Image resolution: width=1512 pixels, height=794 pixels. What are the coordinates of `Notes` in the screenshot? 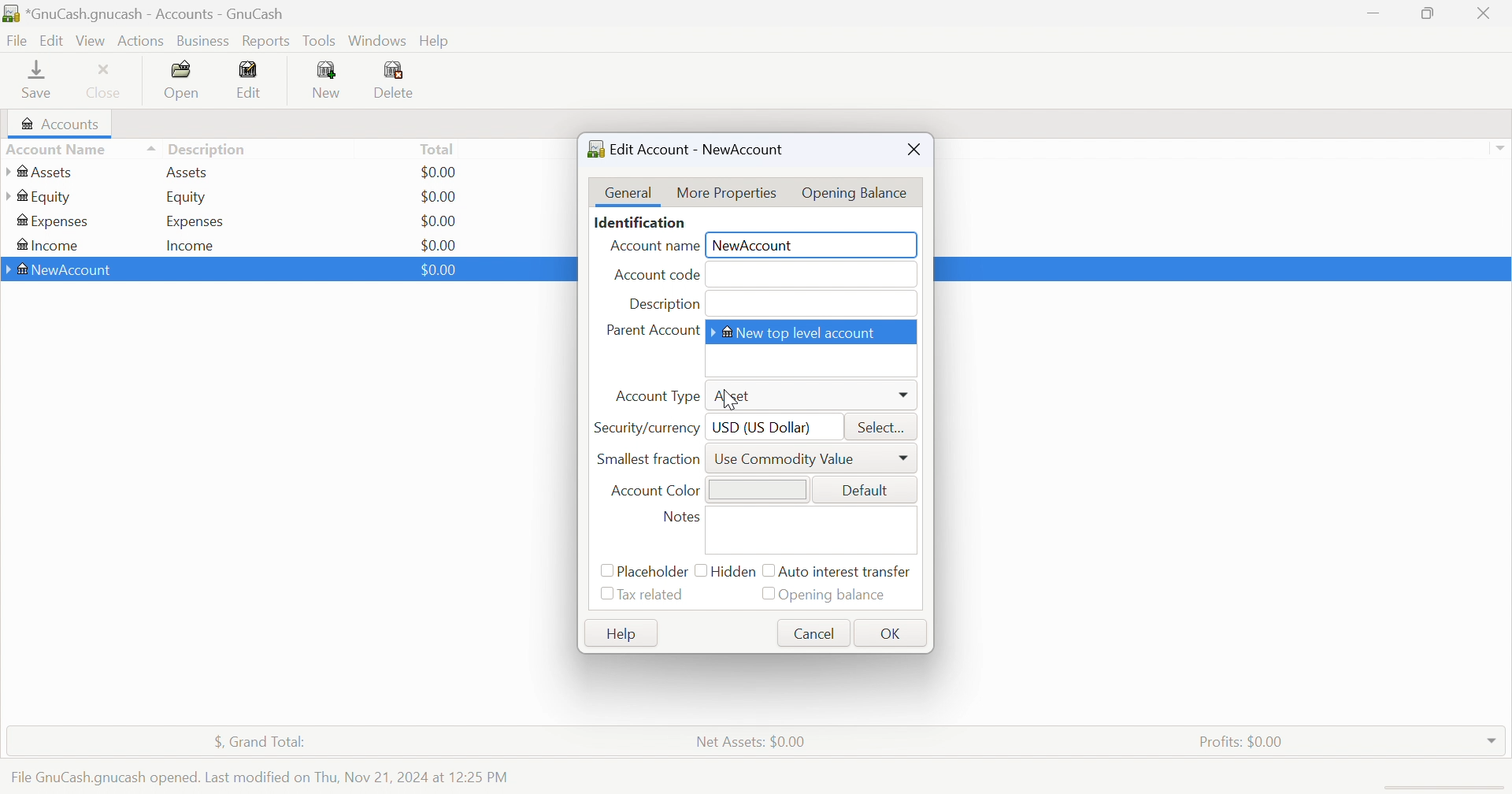 It's located at (682, 518).